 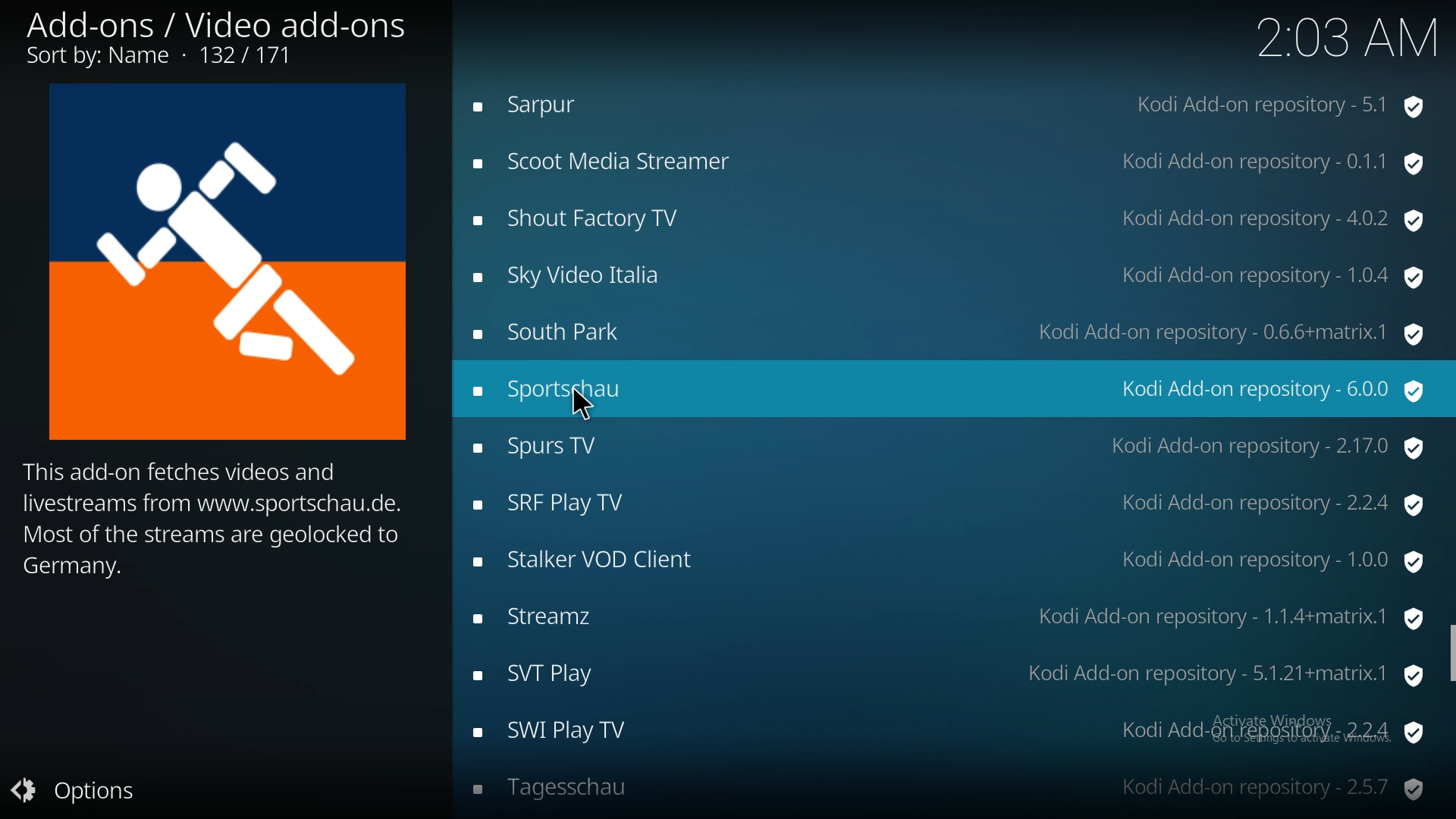 What do you see at coordinates (955, 792) in the screenshot?
I see `tagesschau` at bounding box center [955, 792].